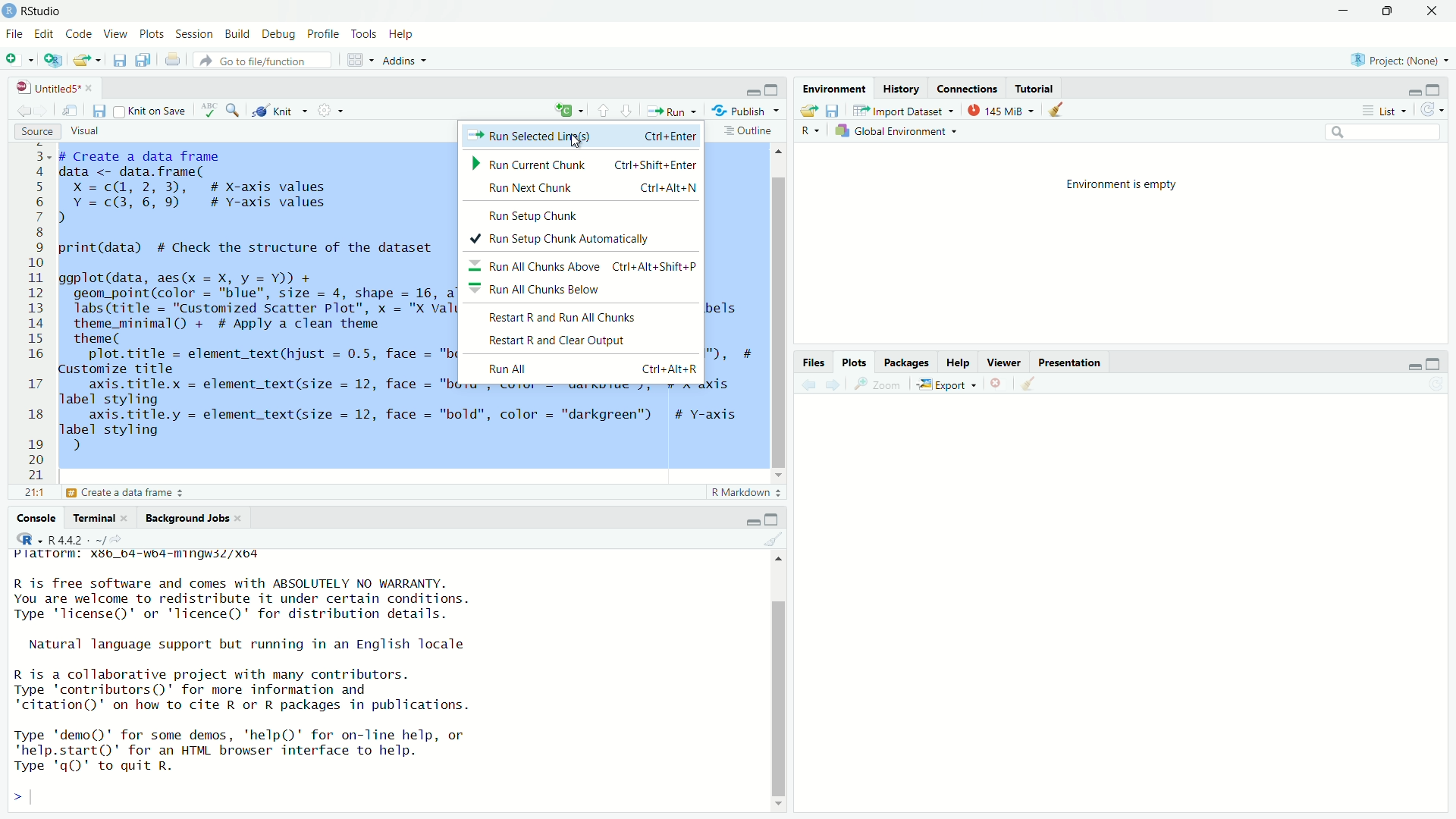  What do you see at coordinates (899, 130) in the screenshot?
I see `Global Environment` at bounding box center [899, 130].